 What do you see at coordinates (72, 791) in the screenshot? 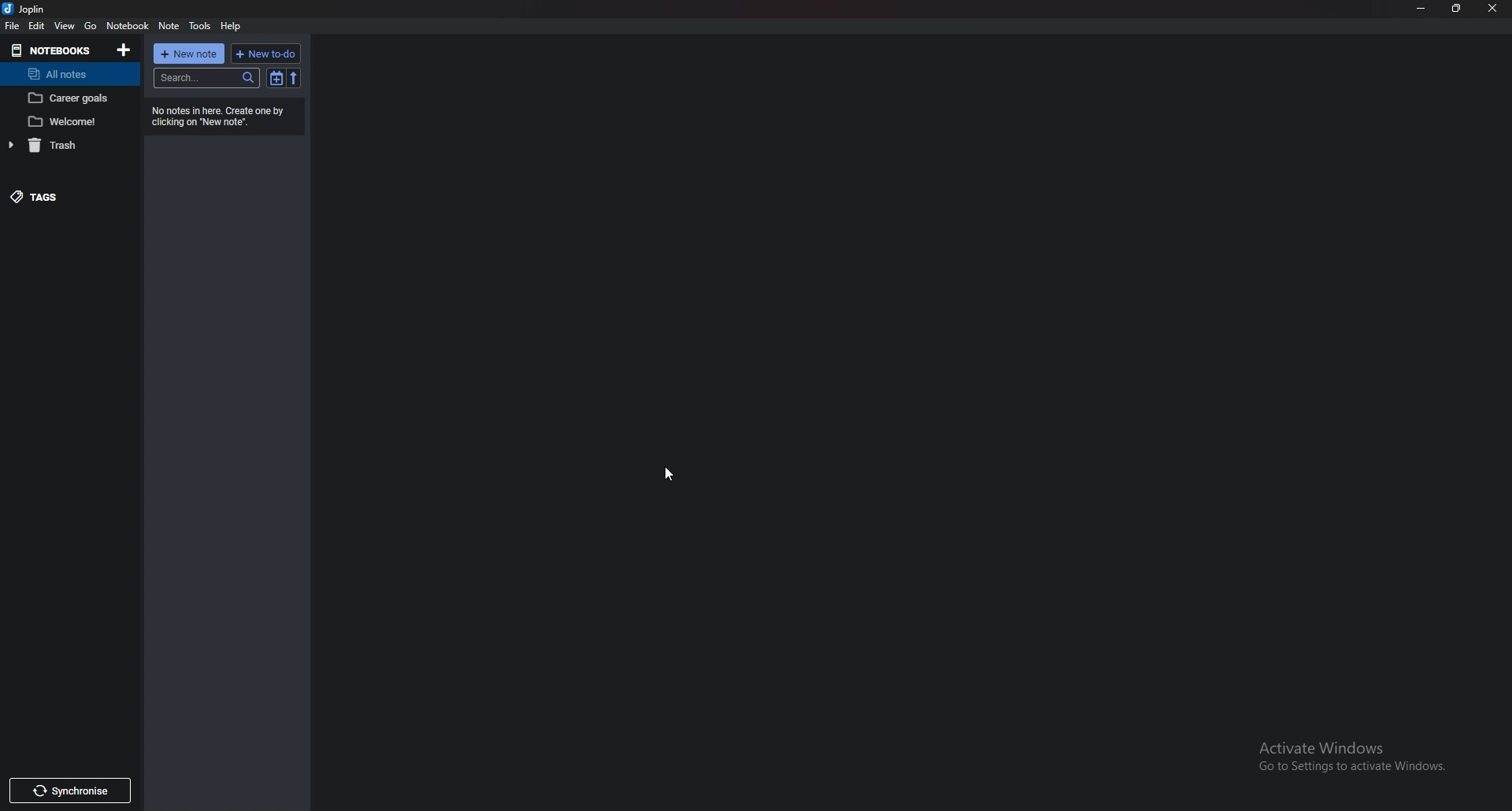
I see `sync` at bounding box center [72, 791].